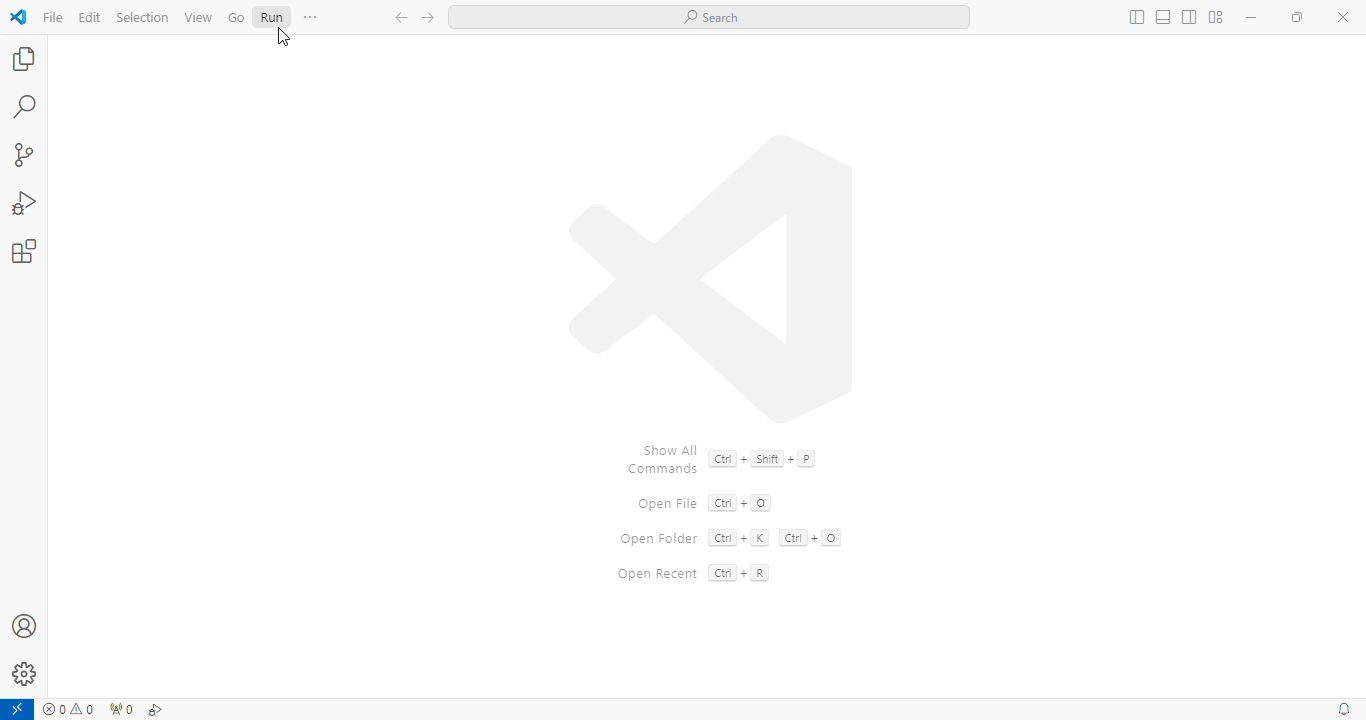  What do you see at coordinates (52, 17) in the screenshot?
I see `file` at bounding box center [52, 17].